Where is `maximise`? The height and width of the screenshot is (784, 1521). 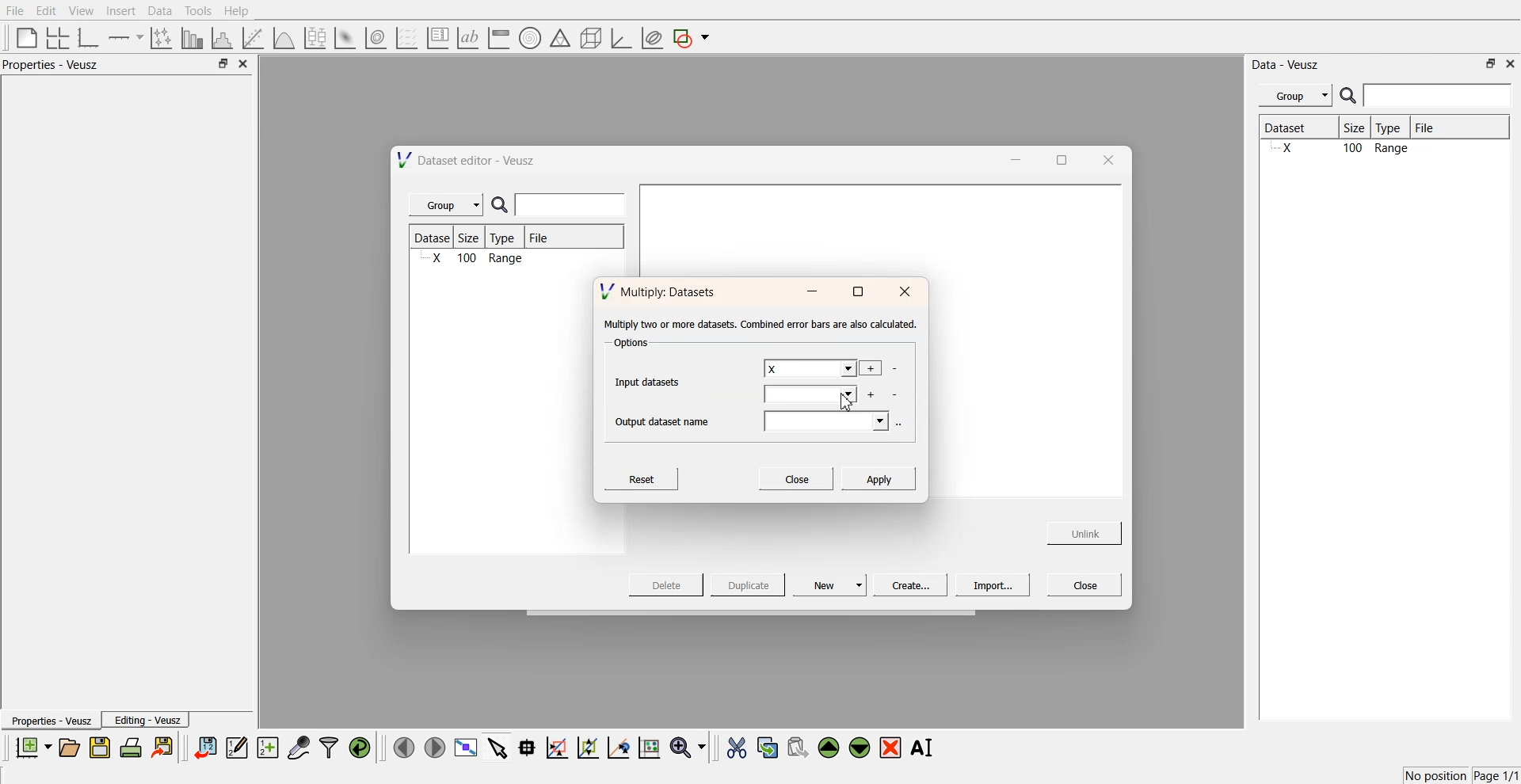
maximise is located at coordinates (857, 292).